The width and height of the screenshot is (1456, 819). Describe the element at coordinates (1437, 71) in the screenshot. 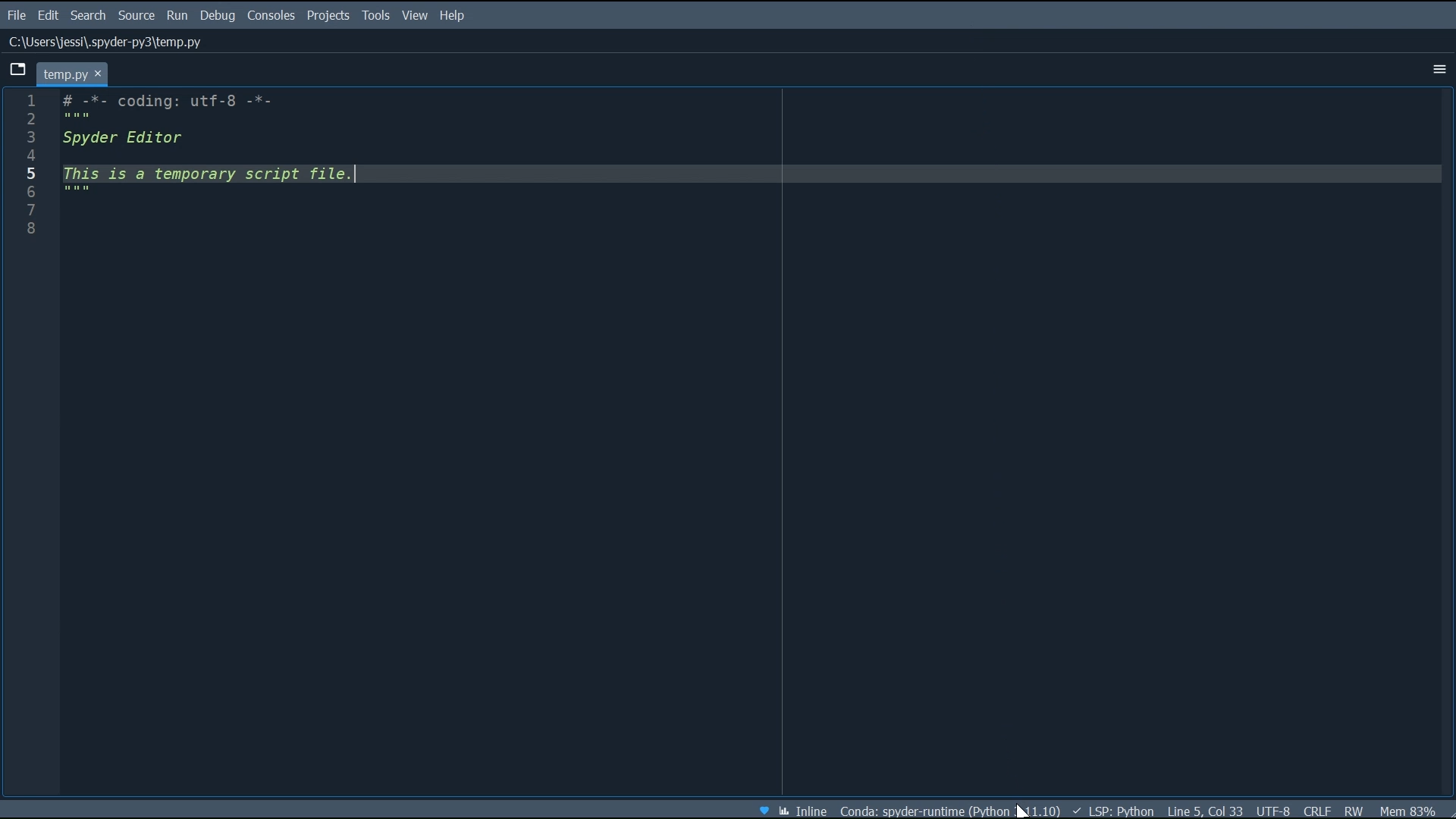

I see `More options` at that location.